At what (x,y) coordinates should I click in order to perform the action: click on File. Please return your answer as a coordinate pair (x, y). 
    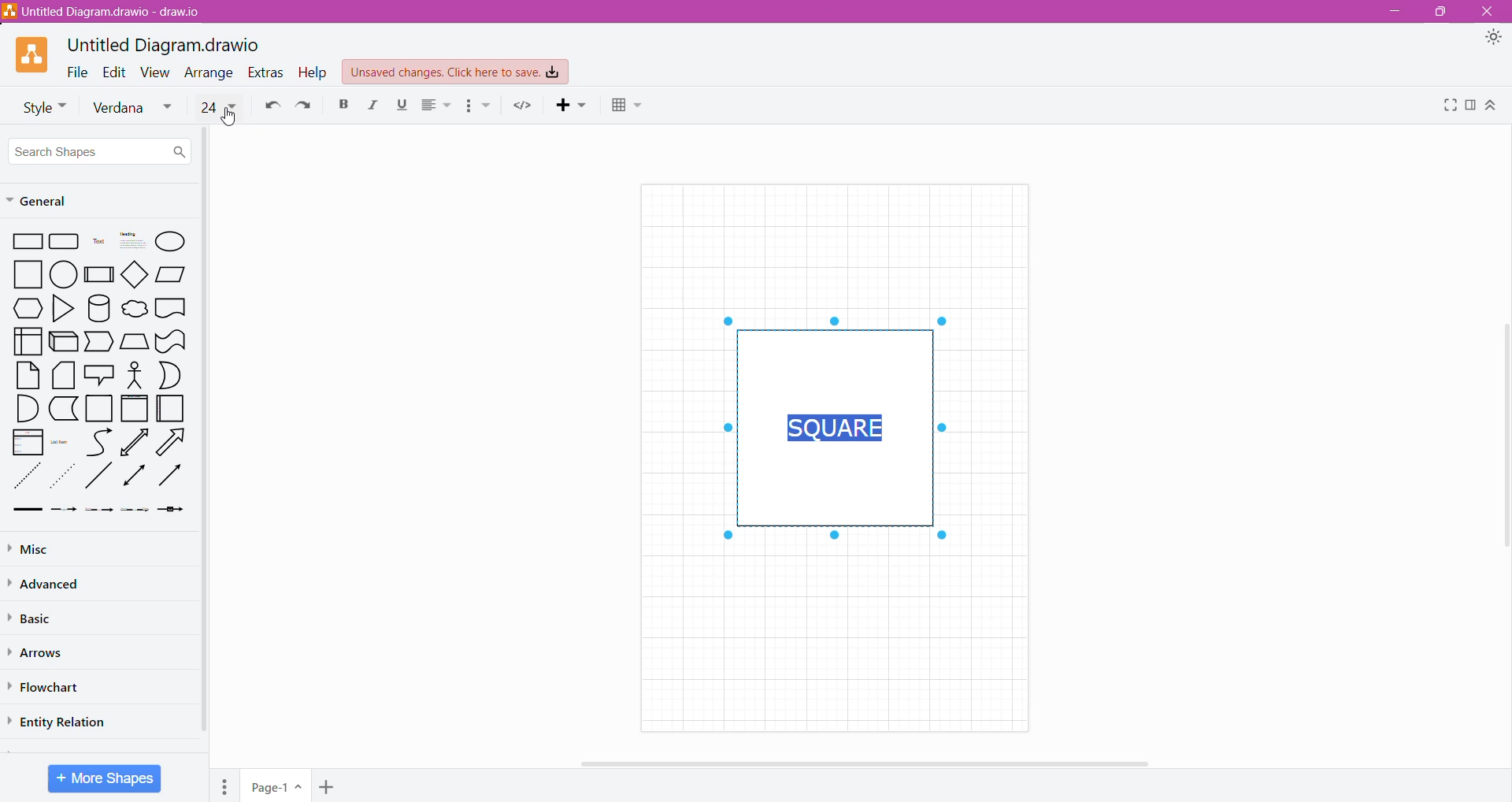
    Looking at the image, I should click on (78, 71).